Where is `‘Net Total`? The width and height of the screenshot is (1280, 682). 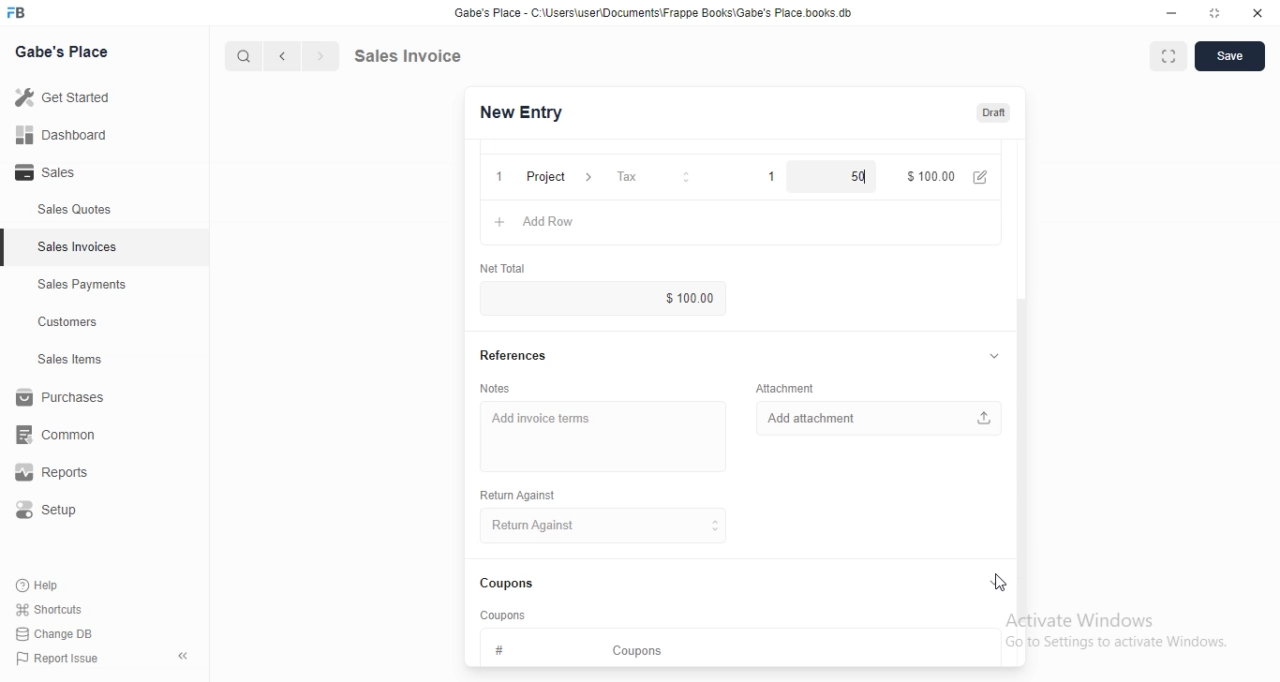
‘Net Total is located at coordinates (505, 268).